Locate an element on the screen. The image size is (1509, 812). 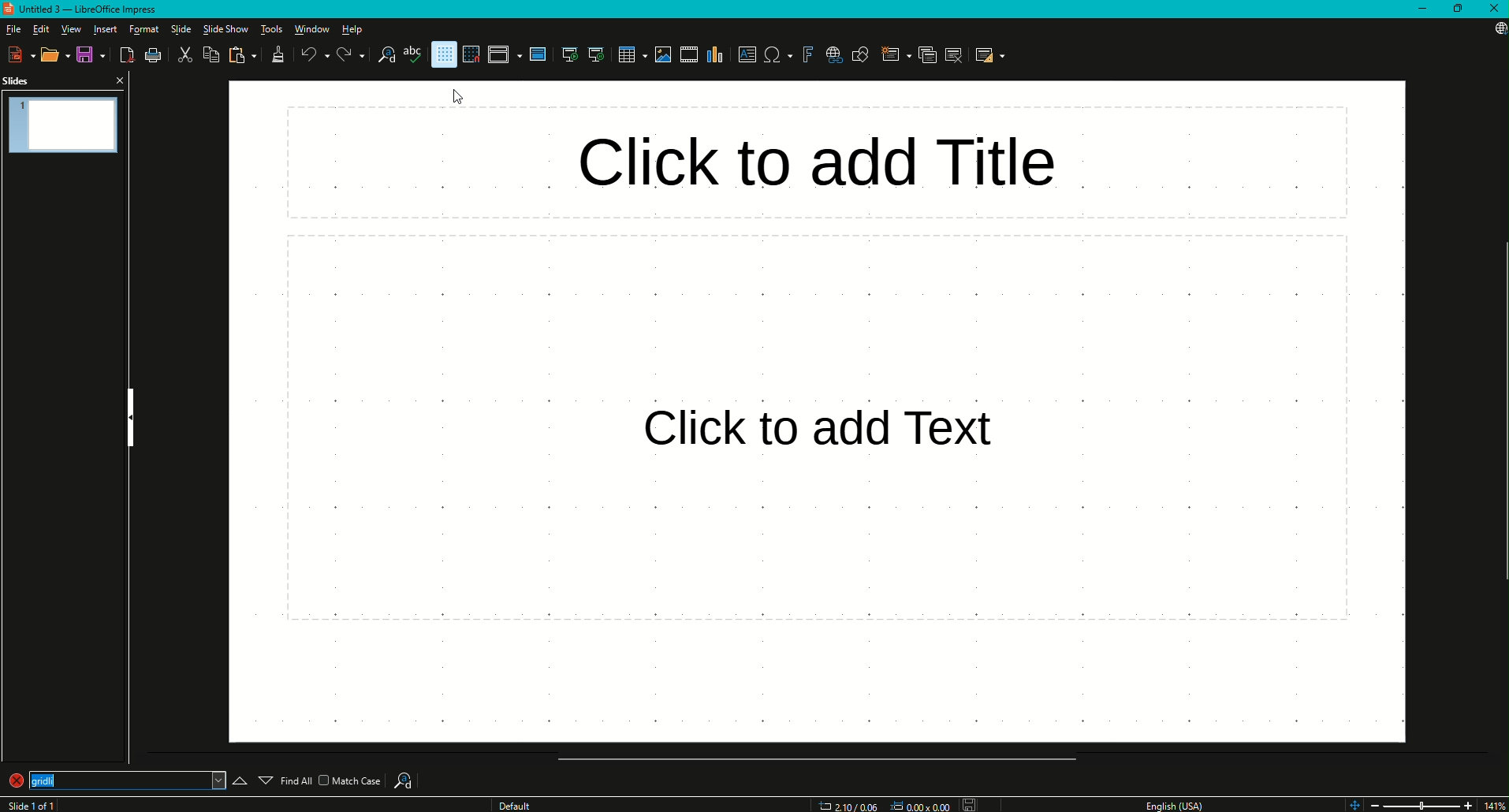
Snap to grid is located at coordinates (475, 54).